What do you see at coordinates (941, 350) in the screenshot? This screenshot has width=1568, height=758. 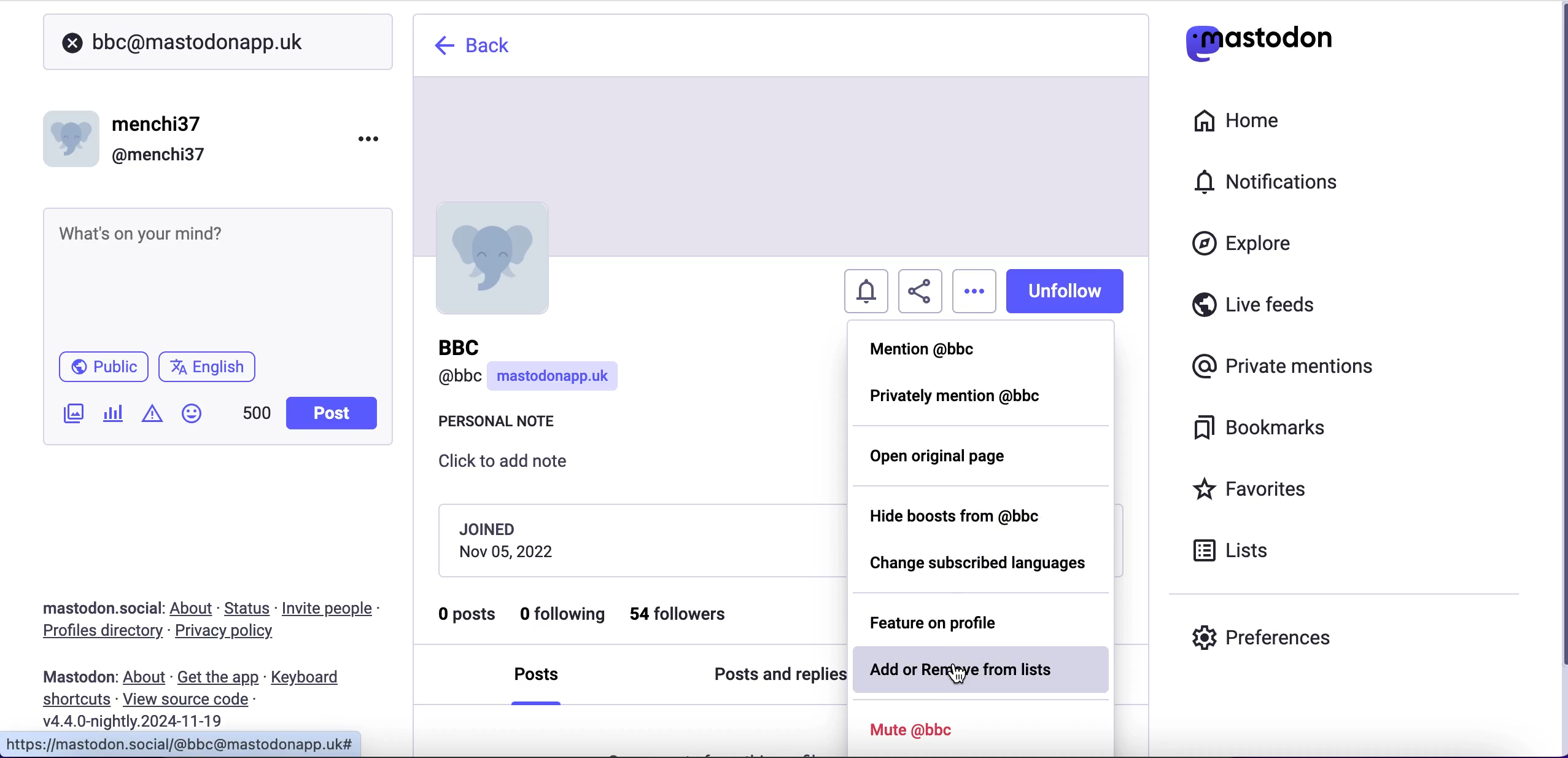 I see `mention @bbc` at bounding box center [941, 350].